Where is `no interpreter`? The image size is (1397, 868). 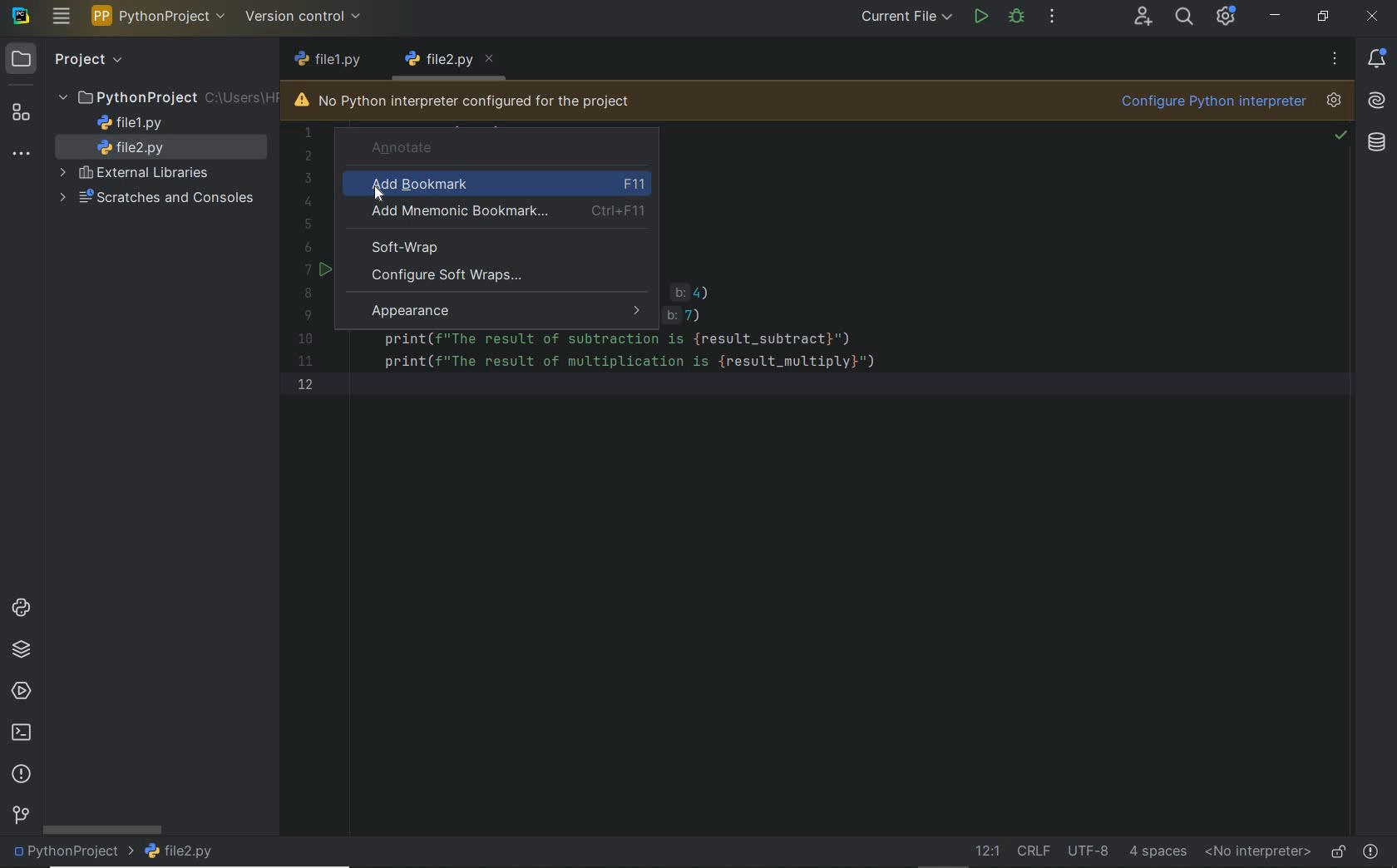 no interpreter is located at coordinates (1257, 852).